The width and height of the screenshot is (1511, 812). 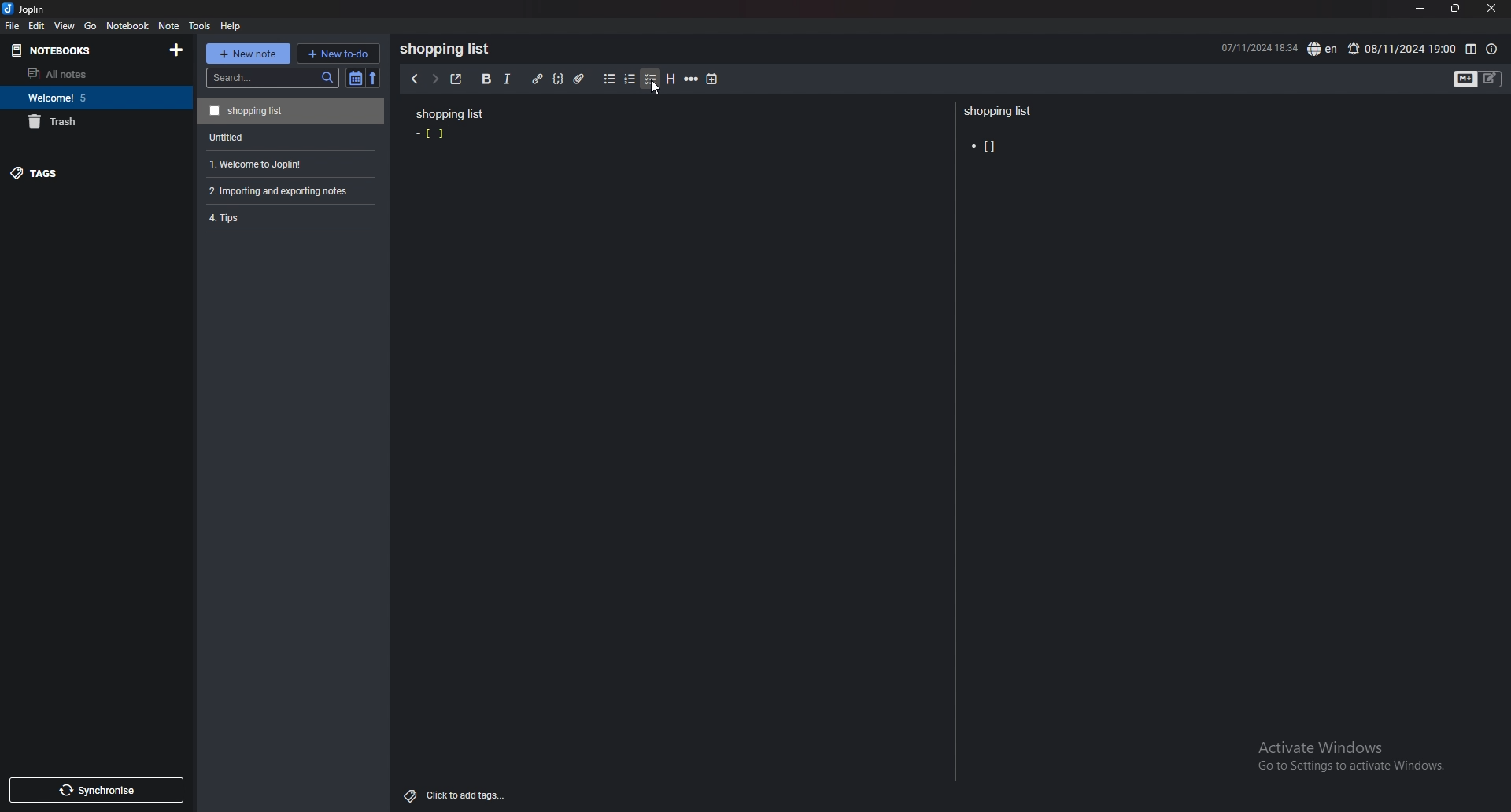 What do you see at coordinates (413, 79) in the screenshot?
I see `previous` at bounding box center [413, 79].